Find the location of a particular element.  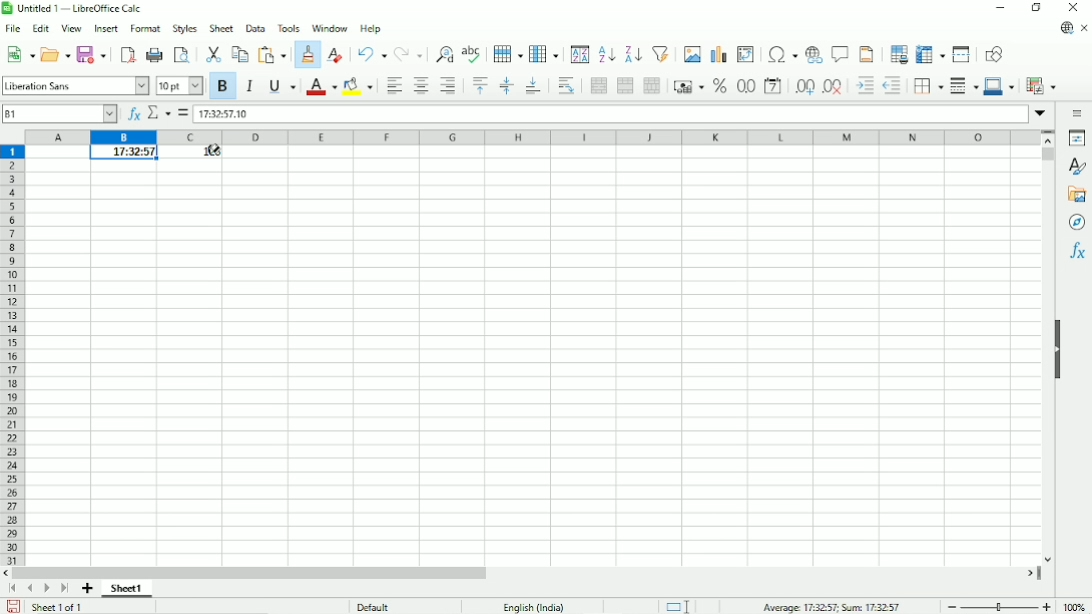

Format as date is located at coordinates (772, 86).